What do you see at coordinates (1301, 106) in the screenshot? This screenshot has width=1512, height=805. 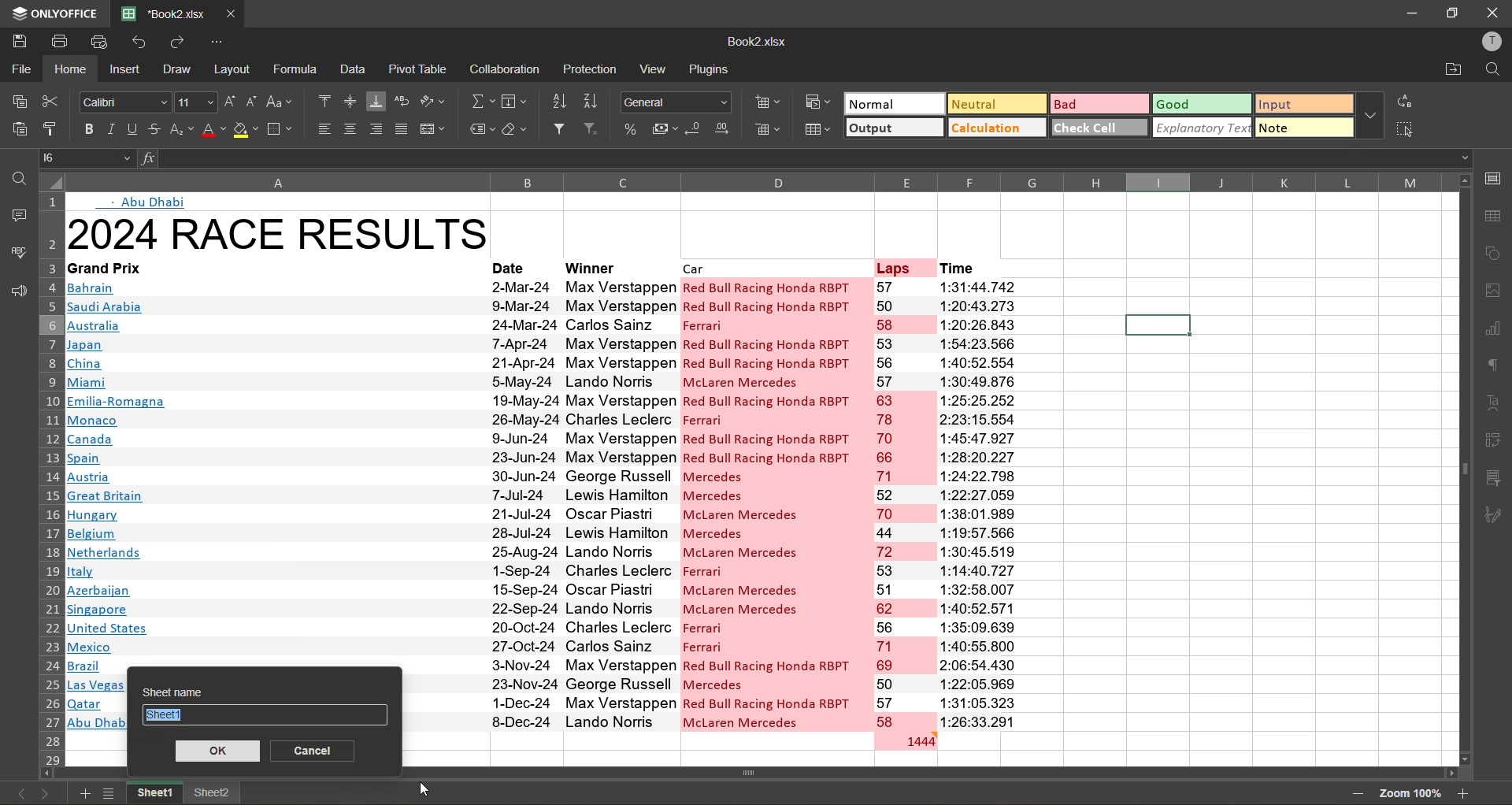 I see `input` at bounding box center [1301, 106].